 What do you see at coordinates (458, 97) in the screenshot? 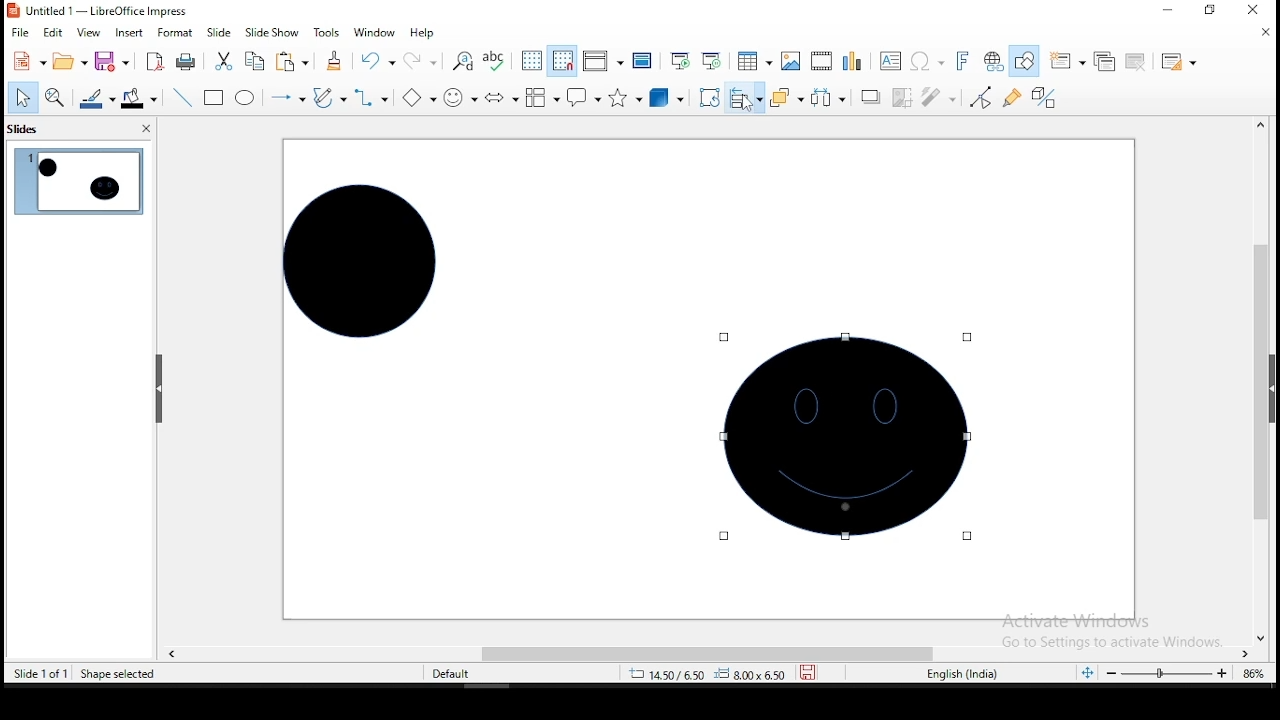
I see `symbol shapes` at bounding box center [458, 97].